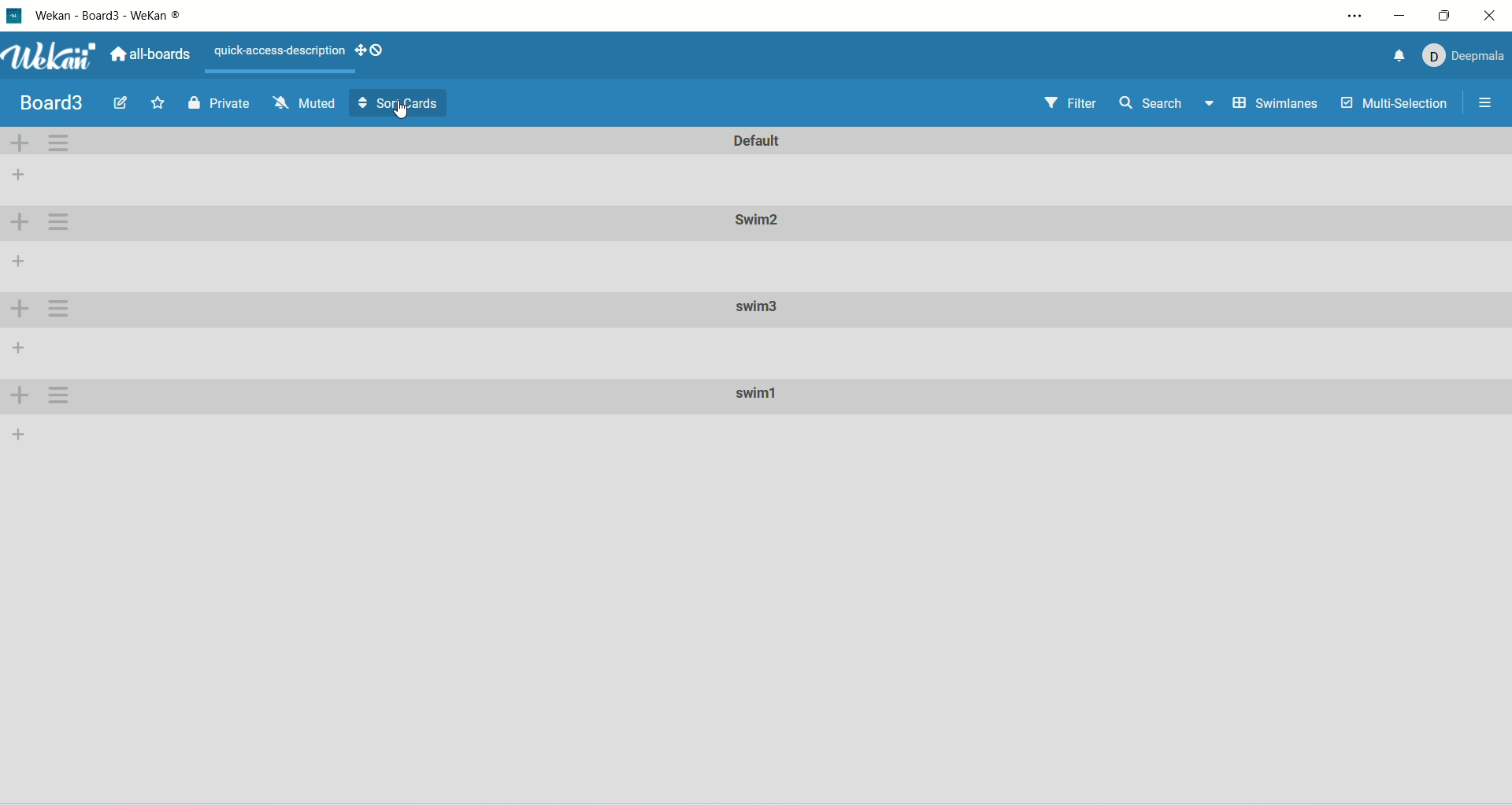 The image size is (1512, 805). I want to click on wekan, so click(50, 58).